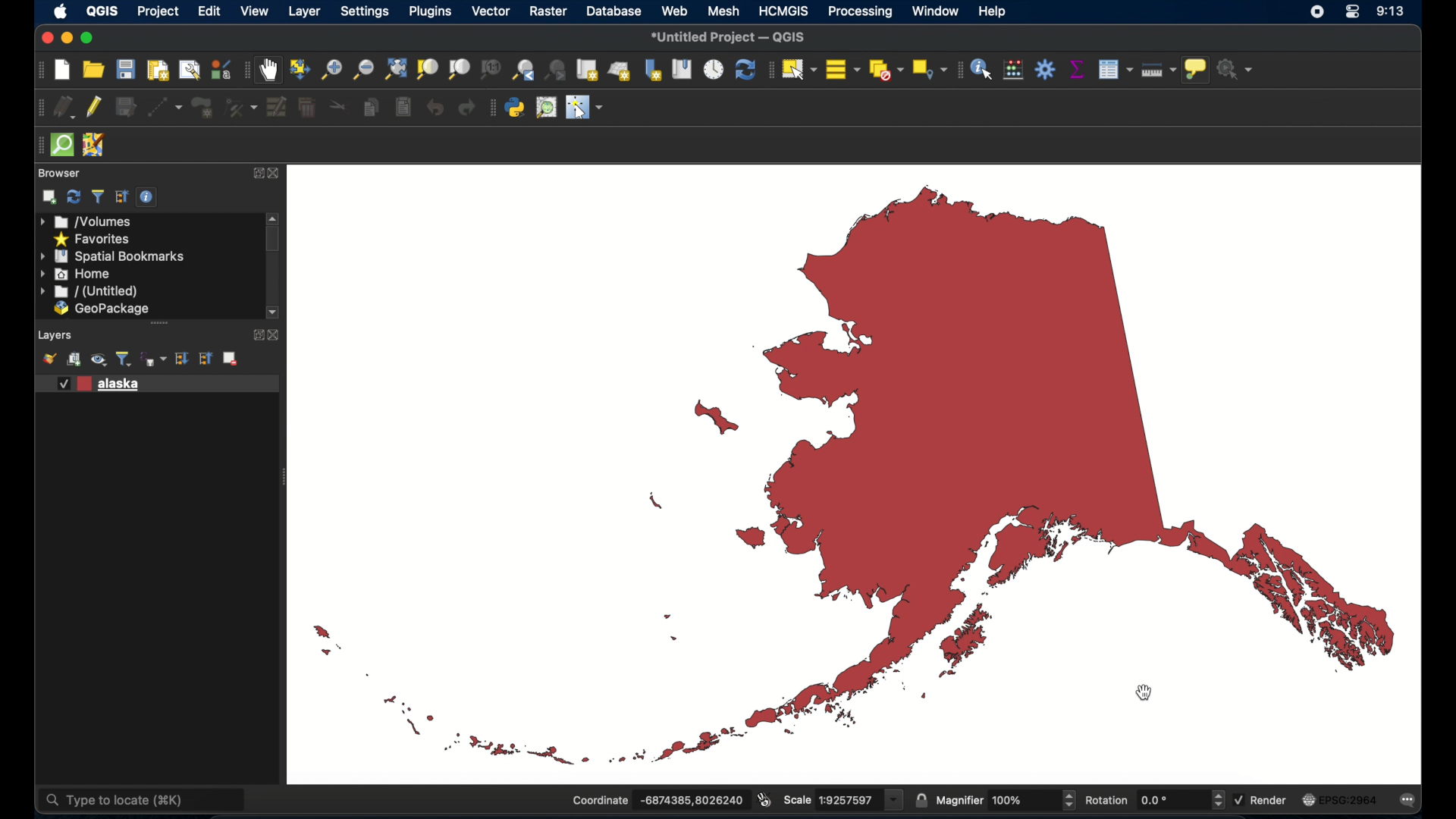 Image resolution: width=1456 pixels, height=819 pixels. Describe the element at coordinates (431, 105) in the screenshot. I see `undo` at that location.